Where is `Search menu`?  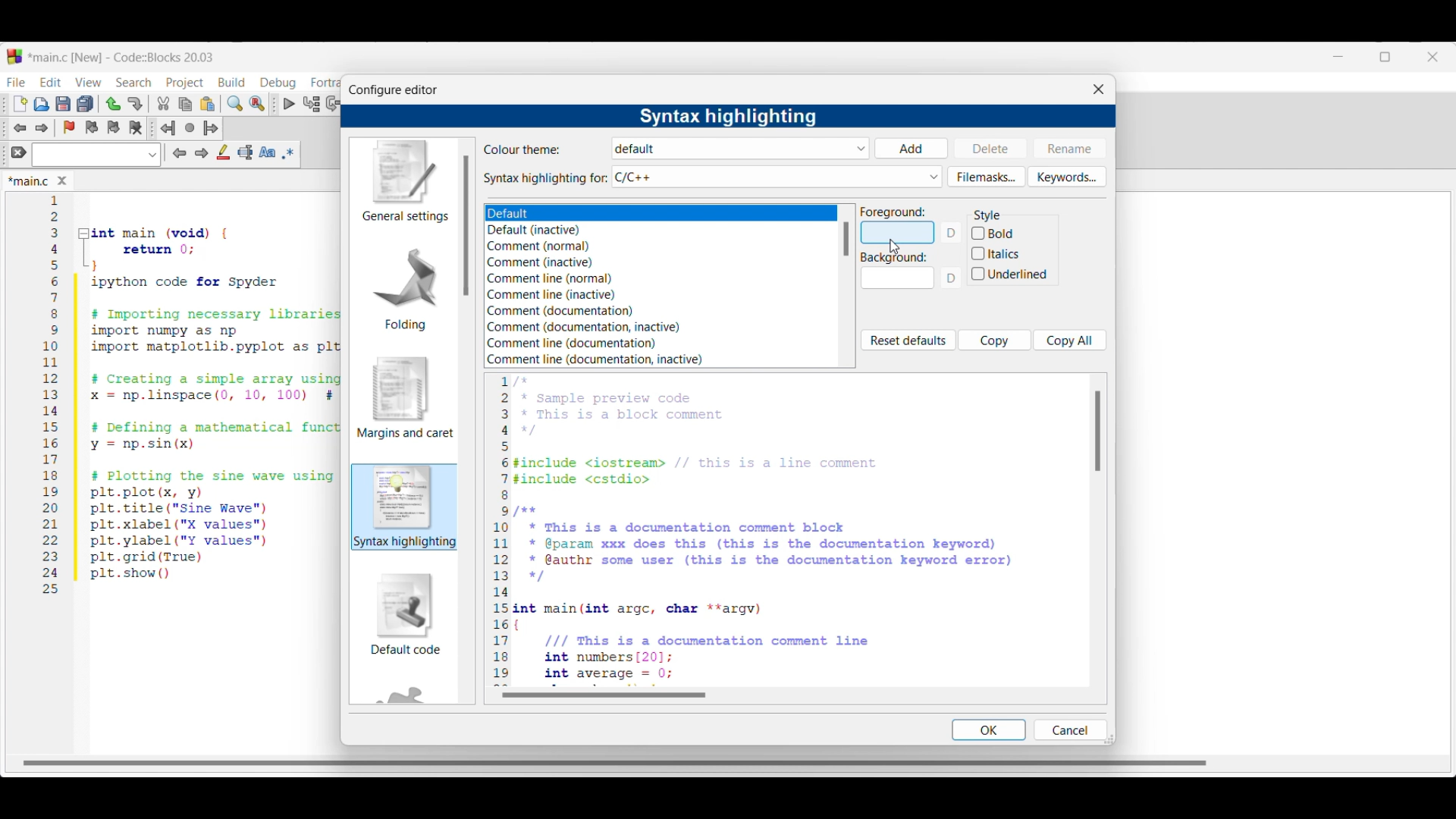 Search menu is located at coordinates (133, 83).